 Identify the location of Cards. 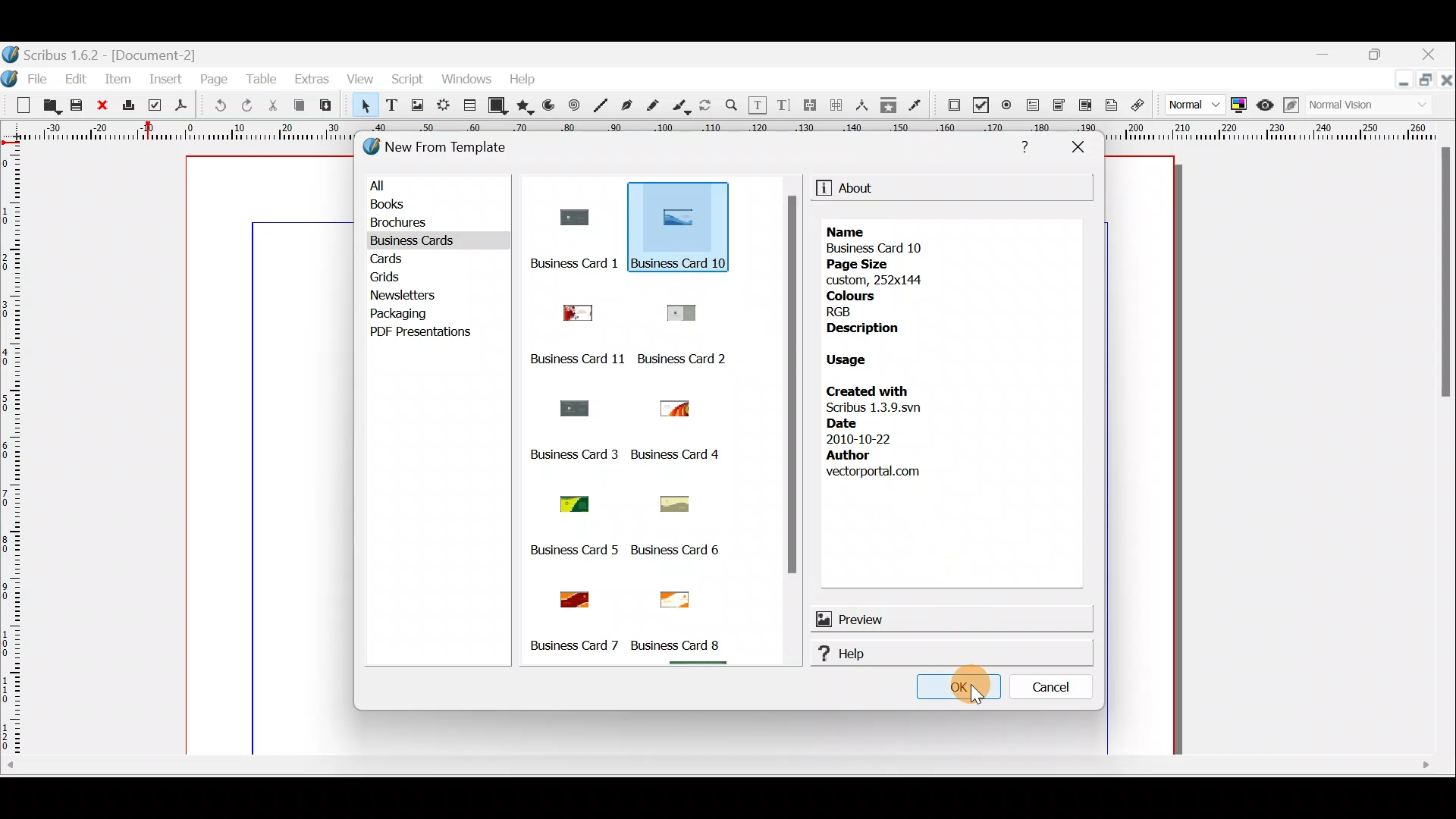
(402, 262).